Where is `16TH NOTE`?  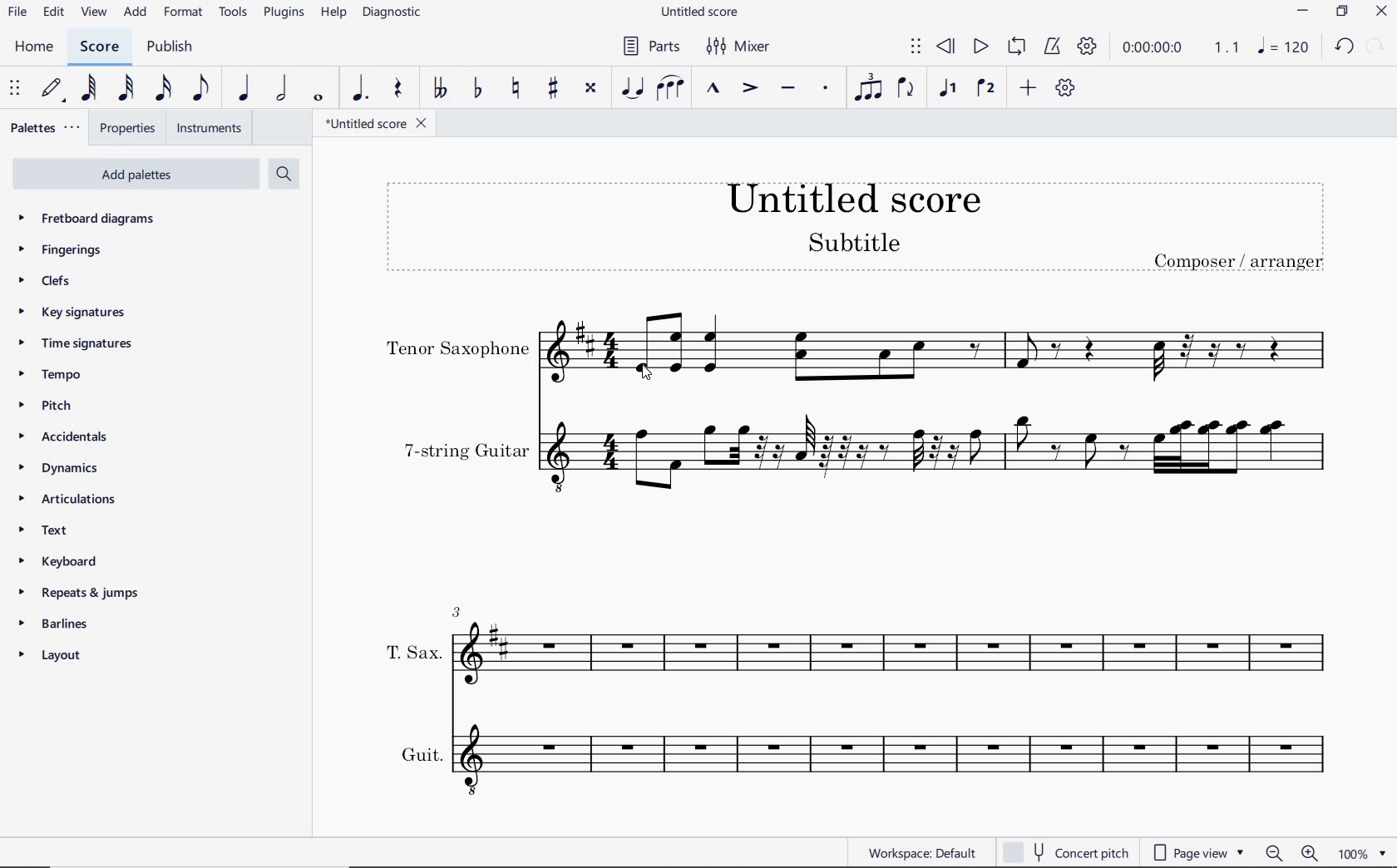 16TH NOTE is located at coordinates (160, 88).